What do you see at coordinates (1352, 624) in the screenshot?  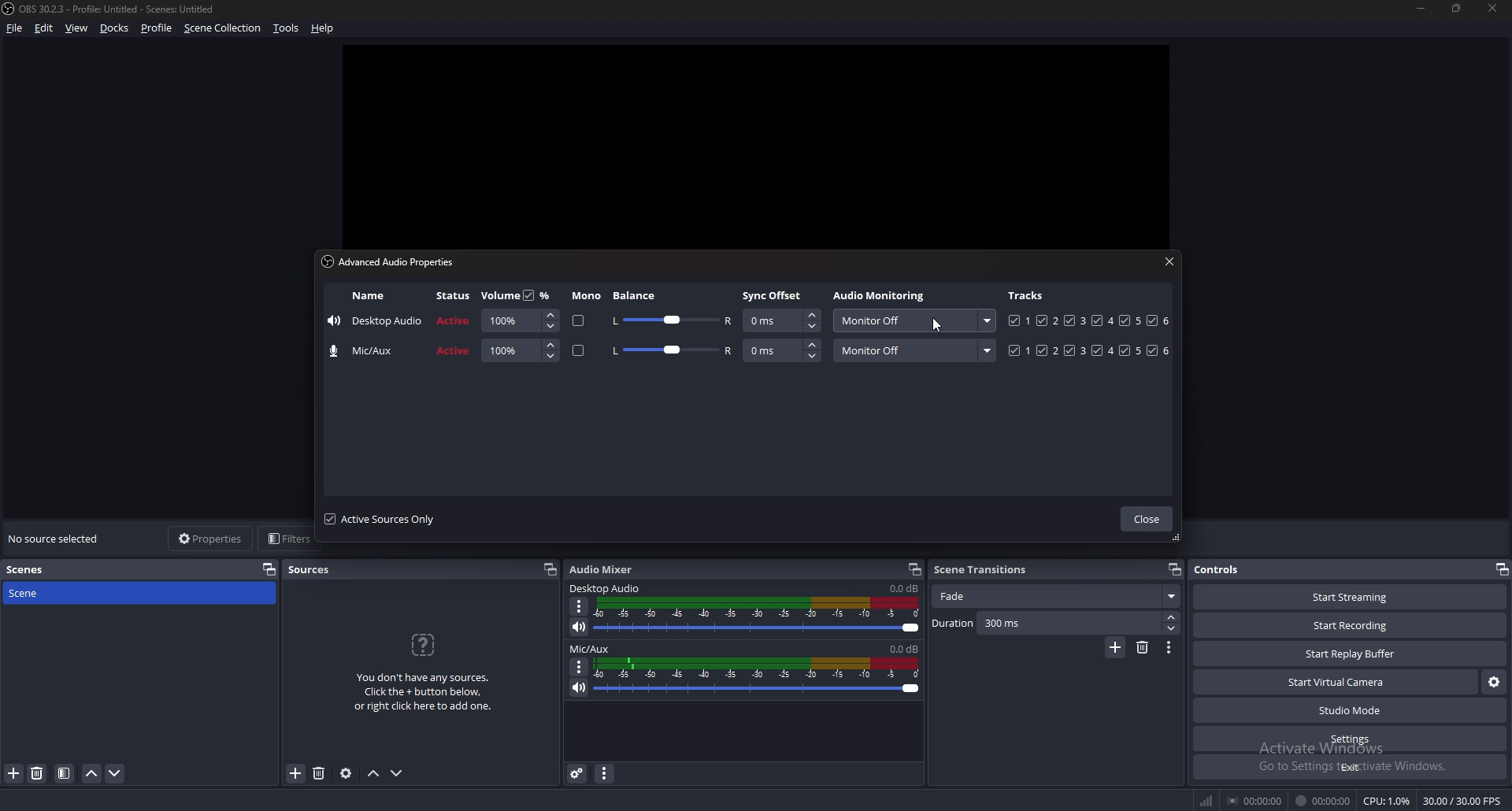 I see `start recording` at bounding box center [1352, 624].